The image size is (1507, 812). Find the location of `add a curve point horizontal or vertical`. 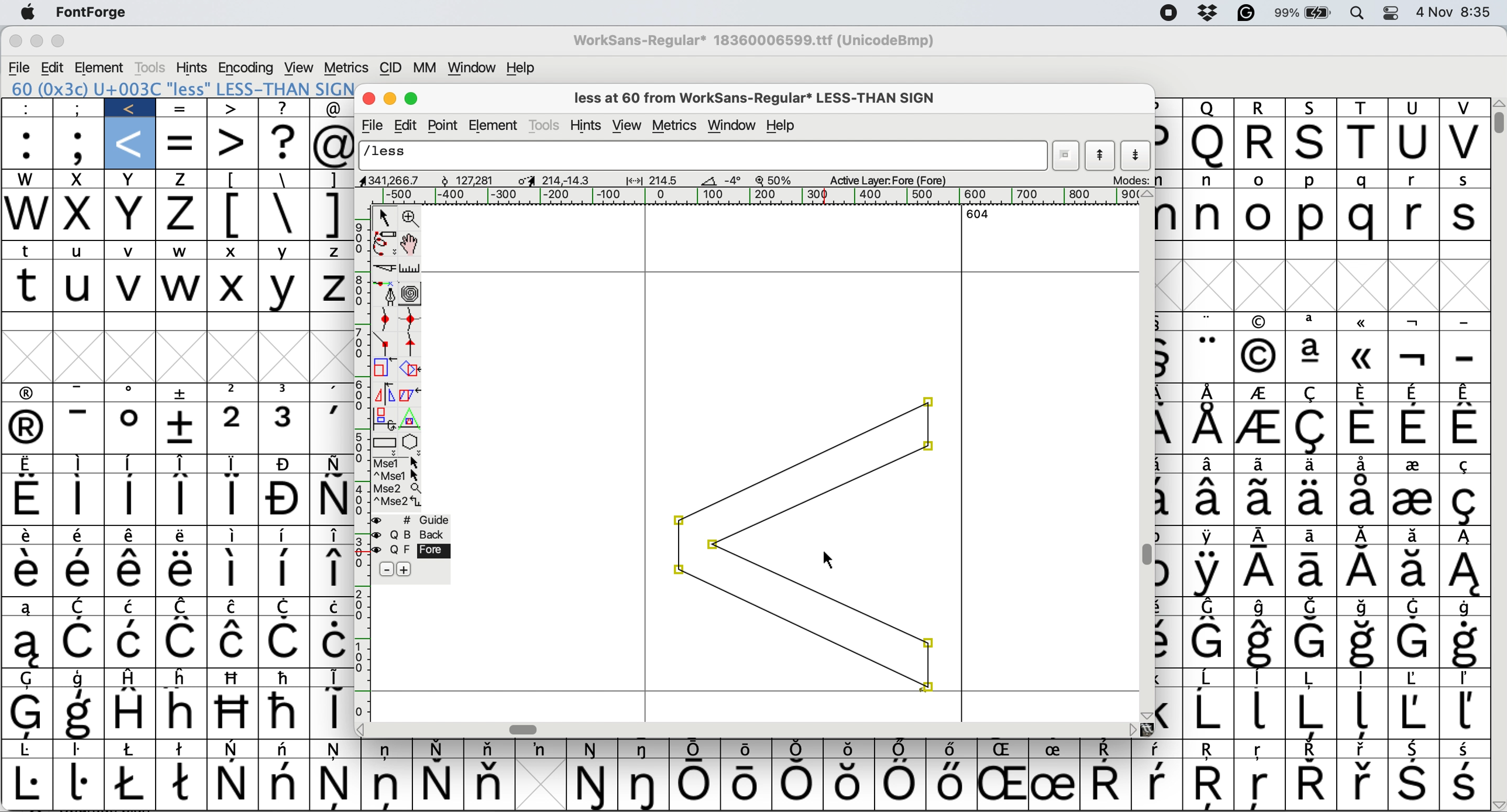

add a curve point horizontal or vertical is located at coordinates (412, 318).